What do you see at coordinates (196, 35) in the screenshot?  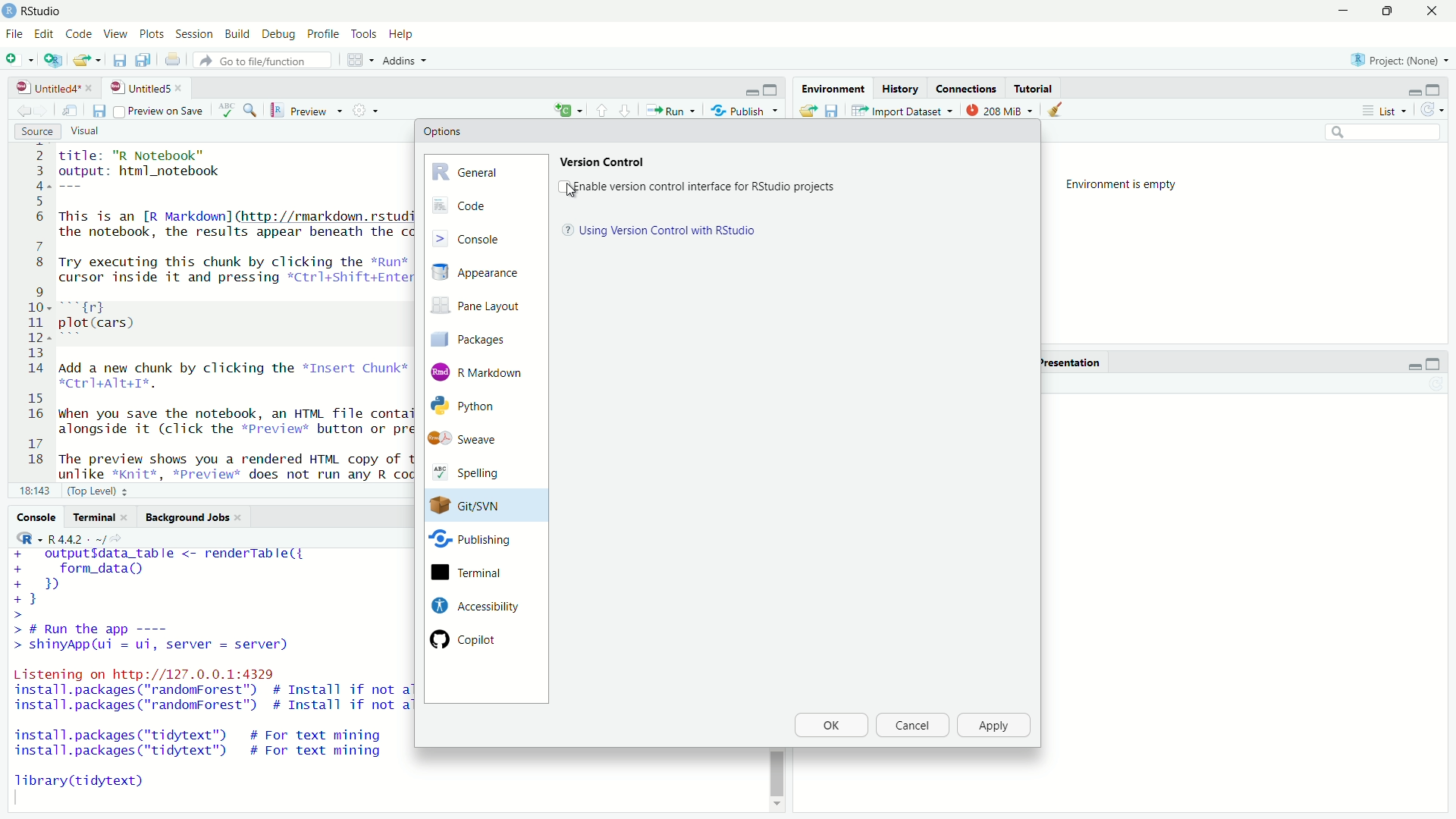 I see `Session` at bounding box center [196, 35].